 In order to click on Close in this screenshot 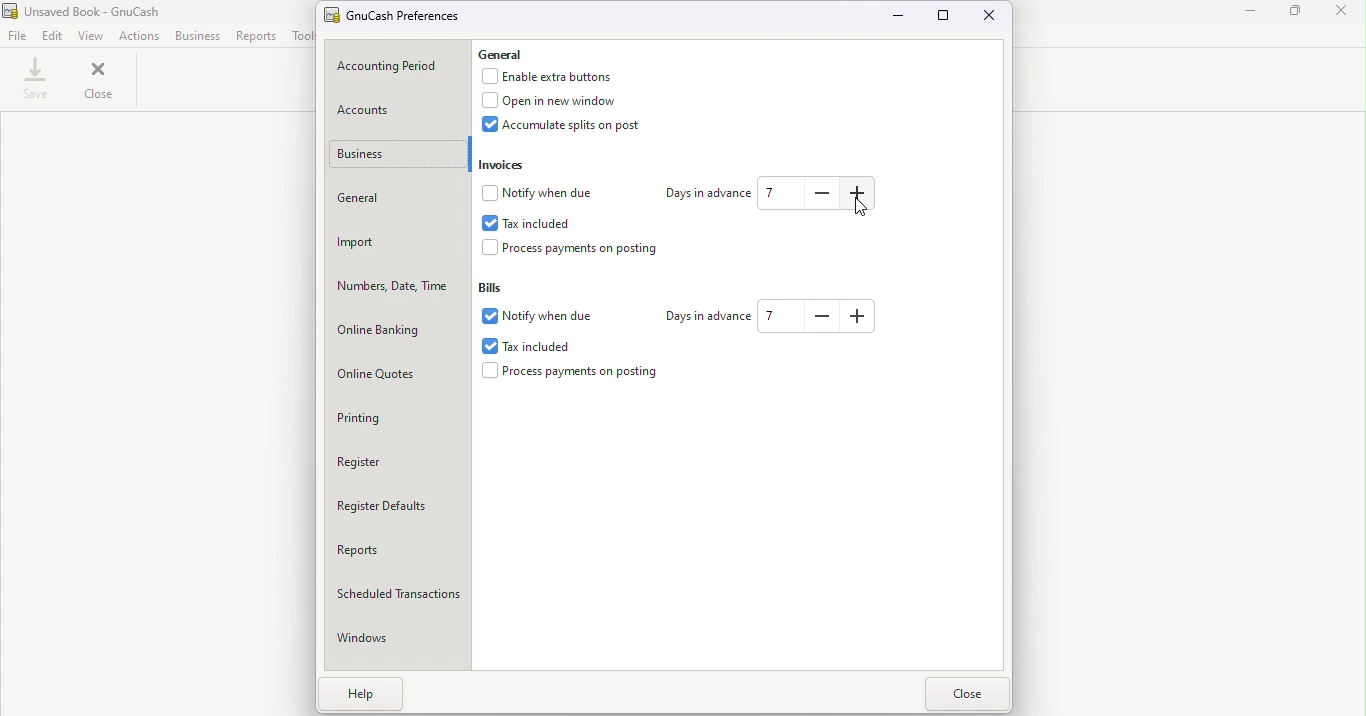, I will do `click(1344, 14)`.